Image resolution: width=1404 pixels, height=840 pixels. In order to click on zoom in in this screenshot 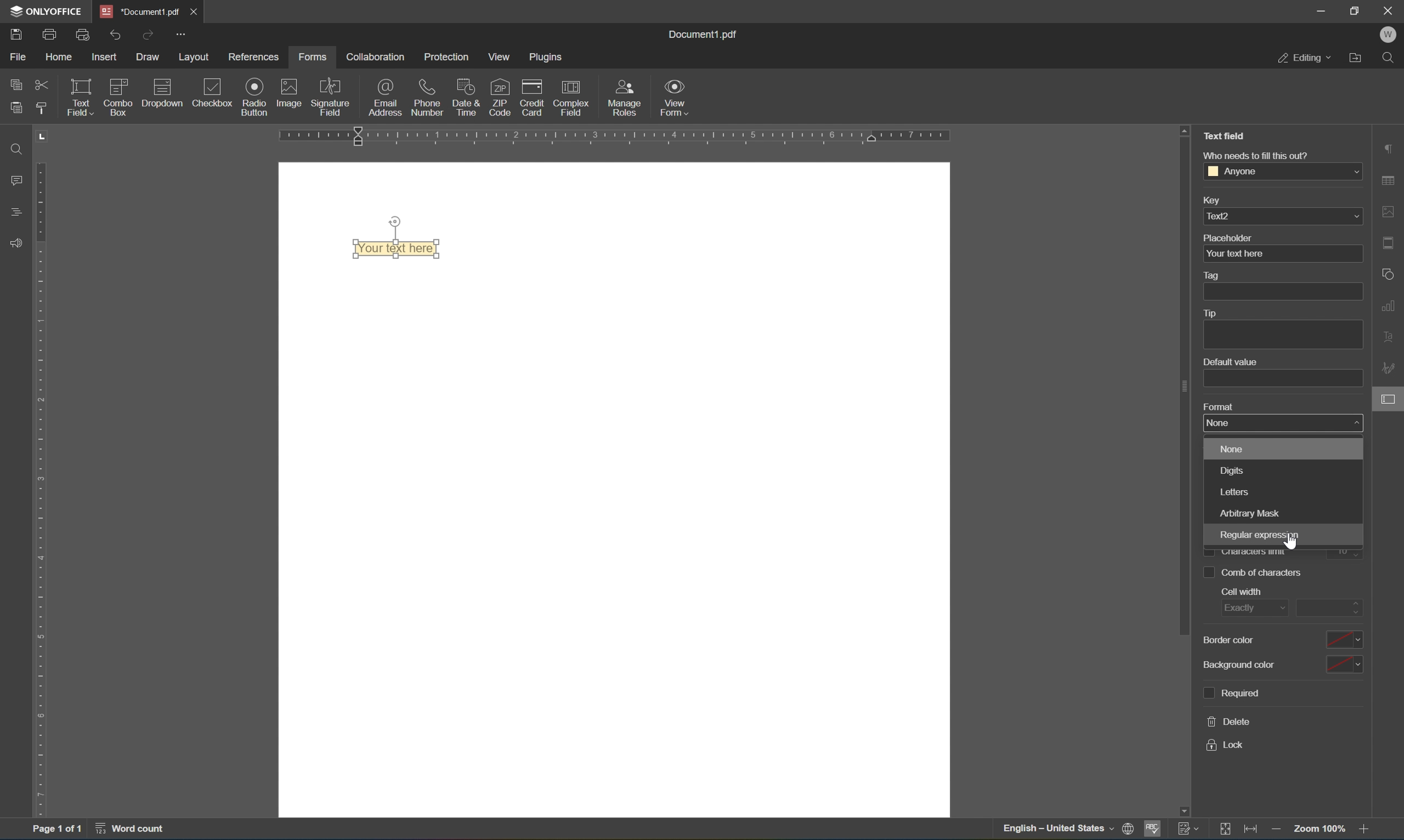, I will do `click(1364, 829)`.